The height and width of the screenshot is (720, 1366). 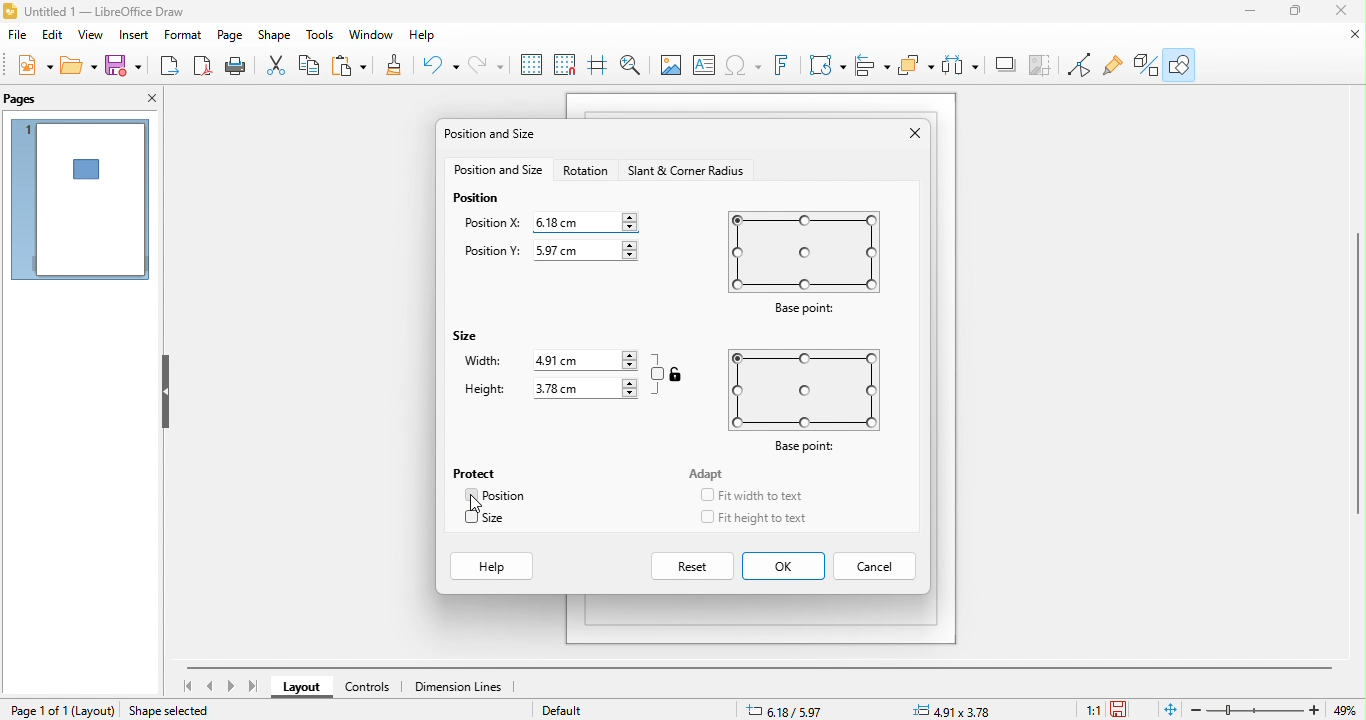 I want to click on cursor movement, so click(x=477, y=504).